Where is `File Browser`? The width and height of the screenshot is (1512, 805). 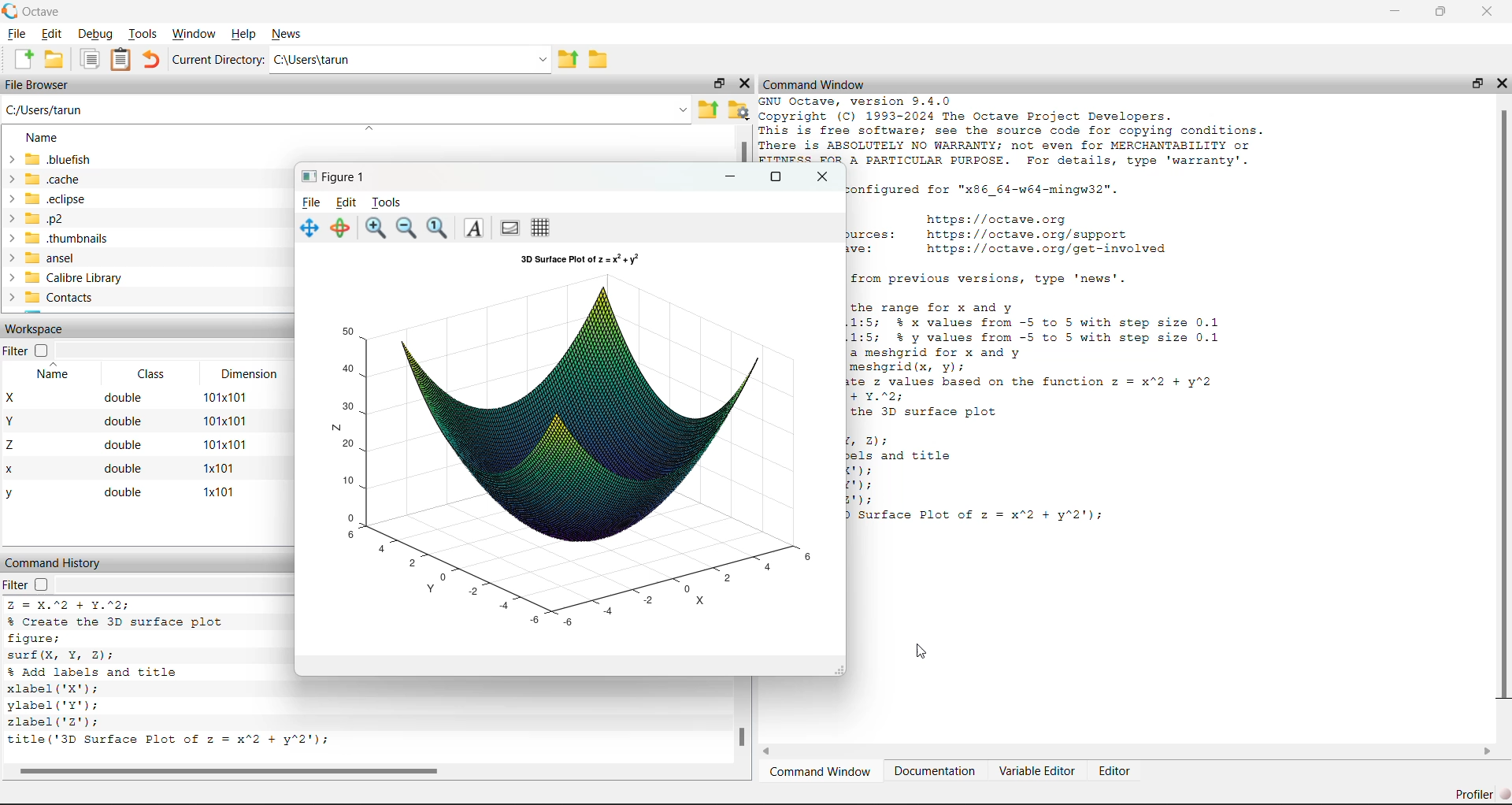
File Browser is located at coordinates (38, 84).